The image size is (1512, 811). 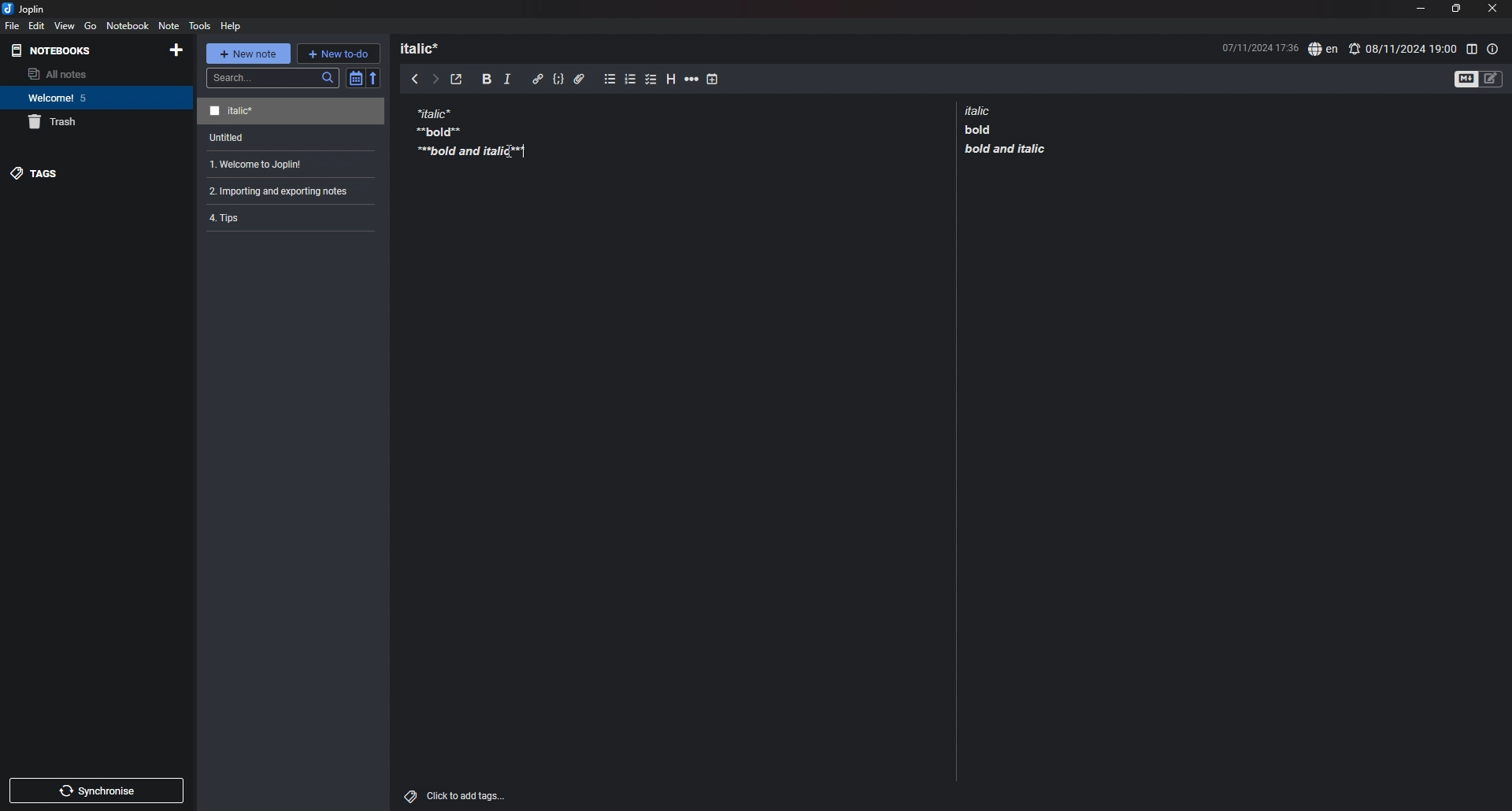 I want to click on search bar, so click(x=273, y=78).